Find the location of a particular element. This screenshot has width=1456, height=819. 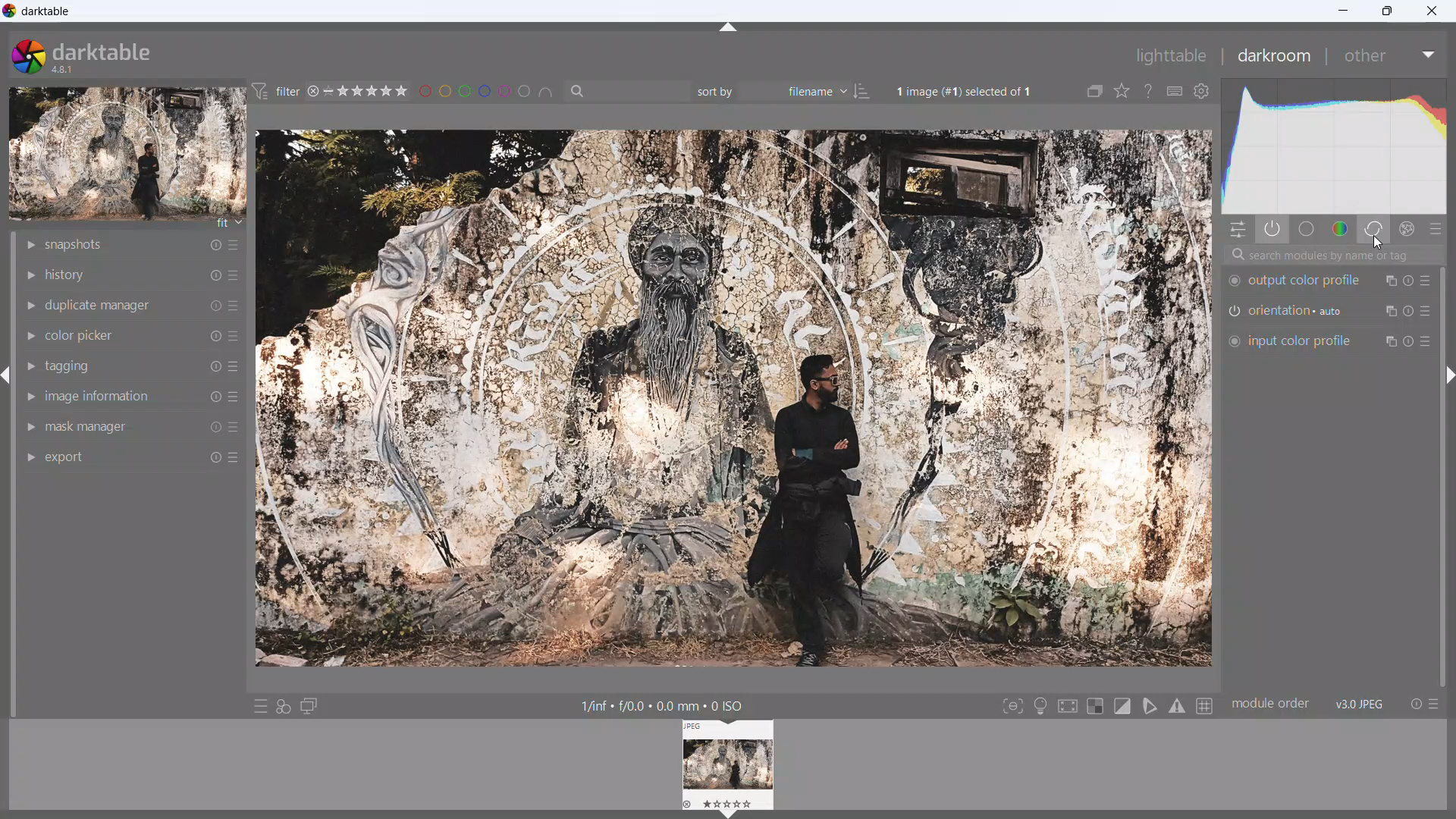

show module is located at coordinates (33, 396).